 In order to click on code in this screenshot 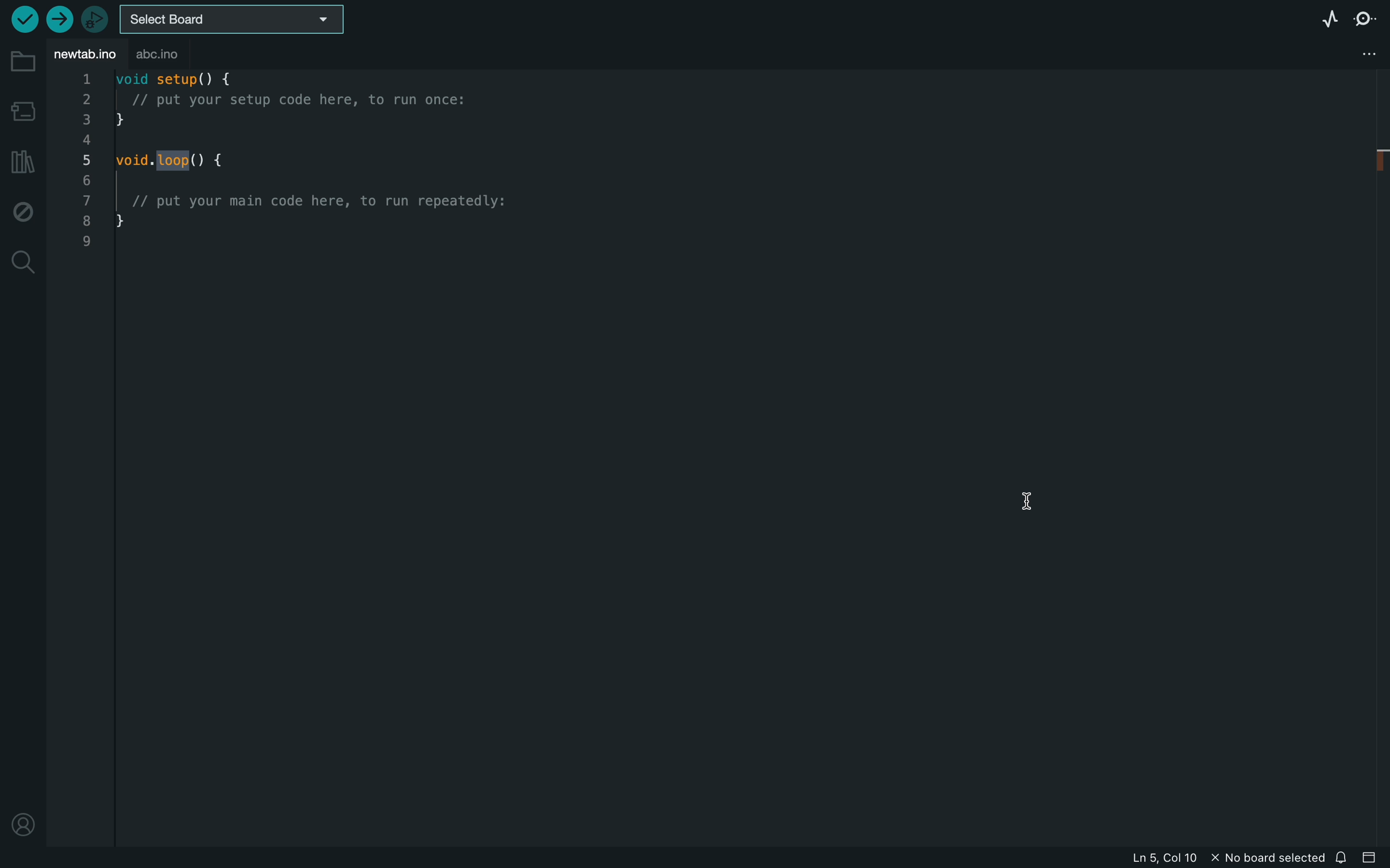, I will do `click(293, 177)`.